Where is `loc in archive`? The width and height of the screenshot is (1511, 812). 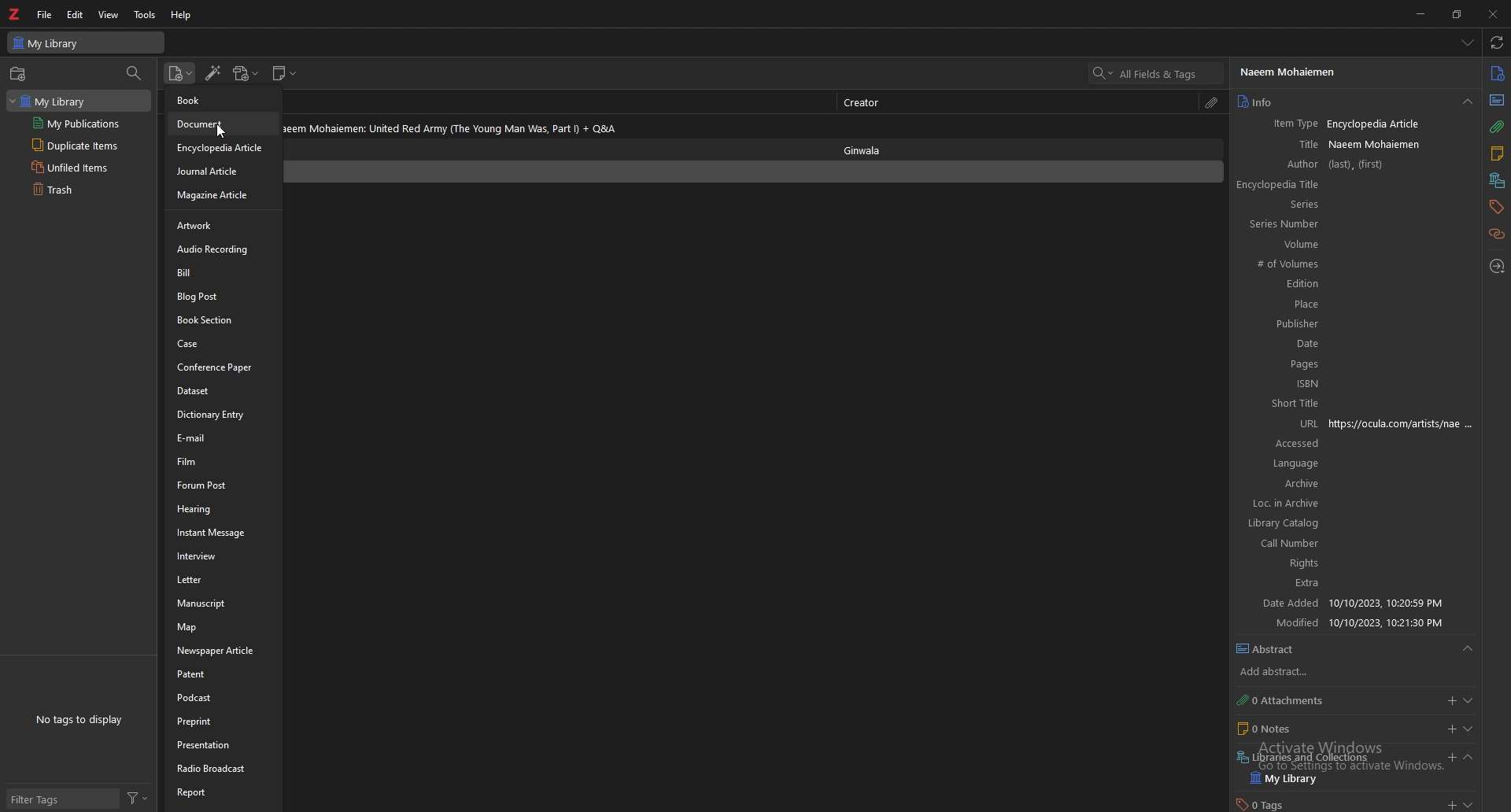
loc in archive is located at coordinates (1278, 505).